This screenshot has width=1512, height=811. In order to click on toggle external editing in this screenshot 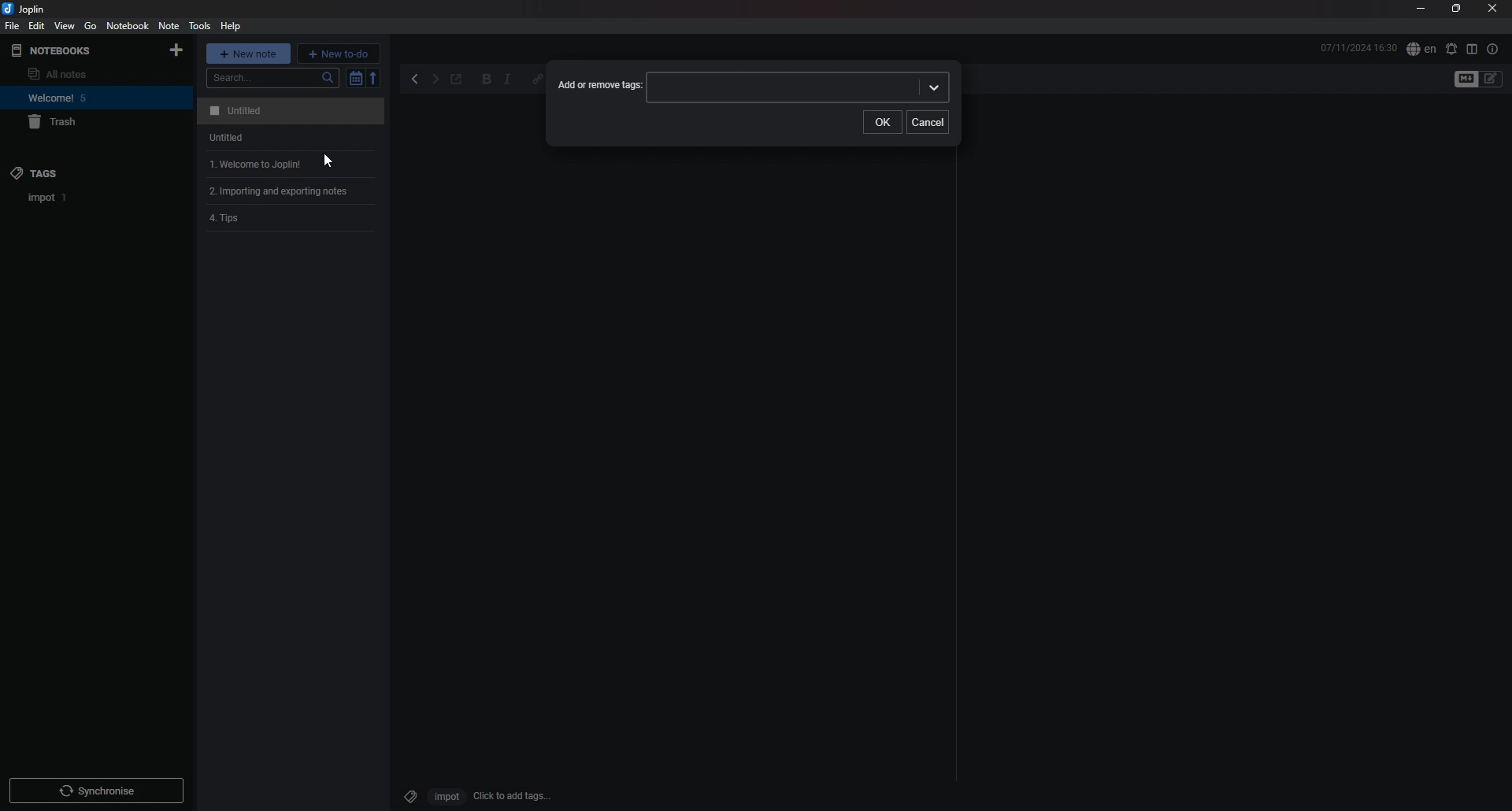, I will do `click(457, 80)`.